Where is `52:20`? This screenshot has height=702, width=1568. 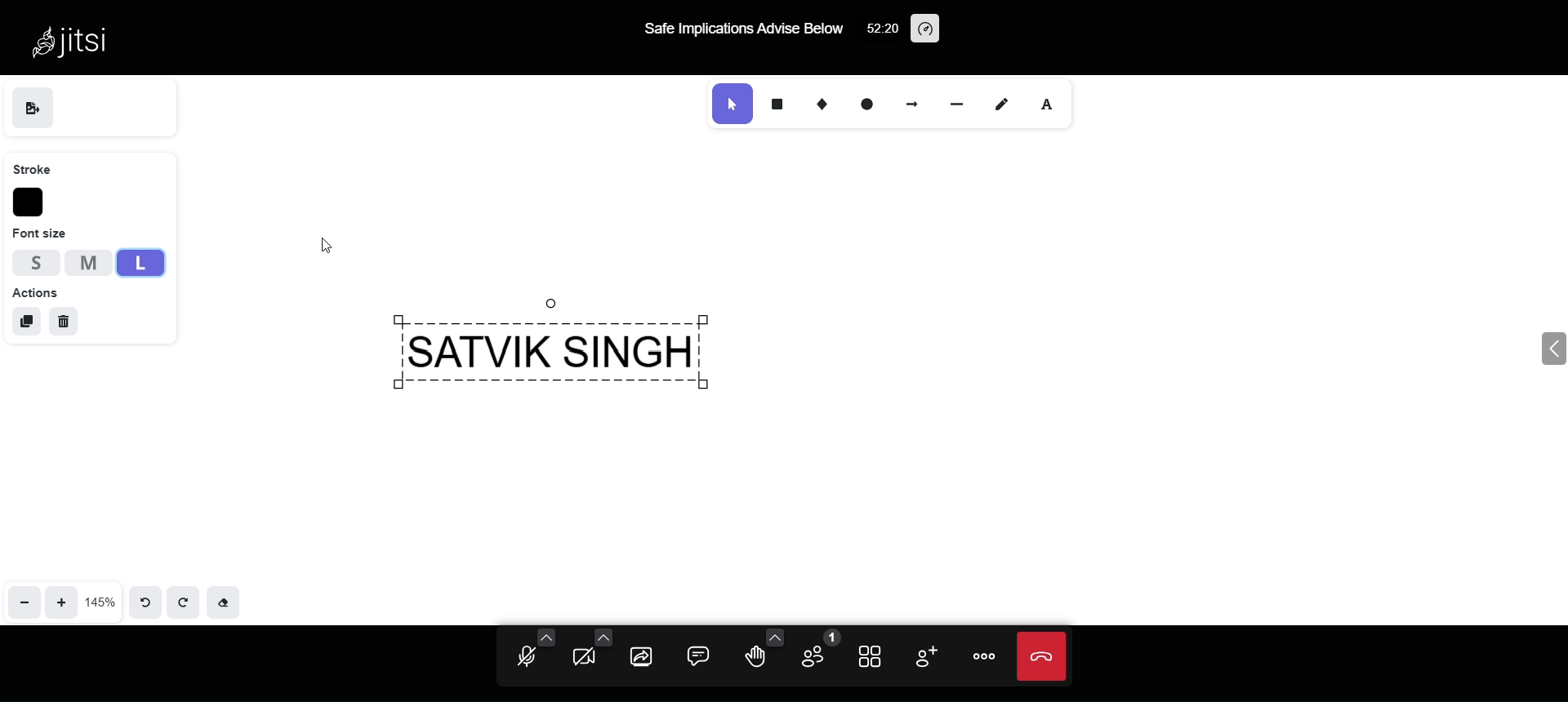
52:20 is located at coordinates (880, 32).